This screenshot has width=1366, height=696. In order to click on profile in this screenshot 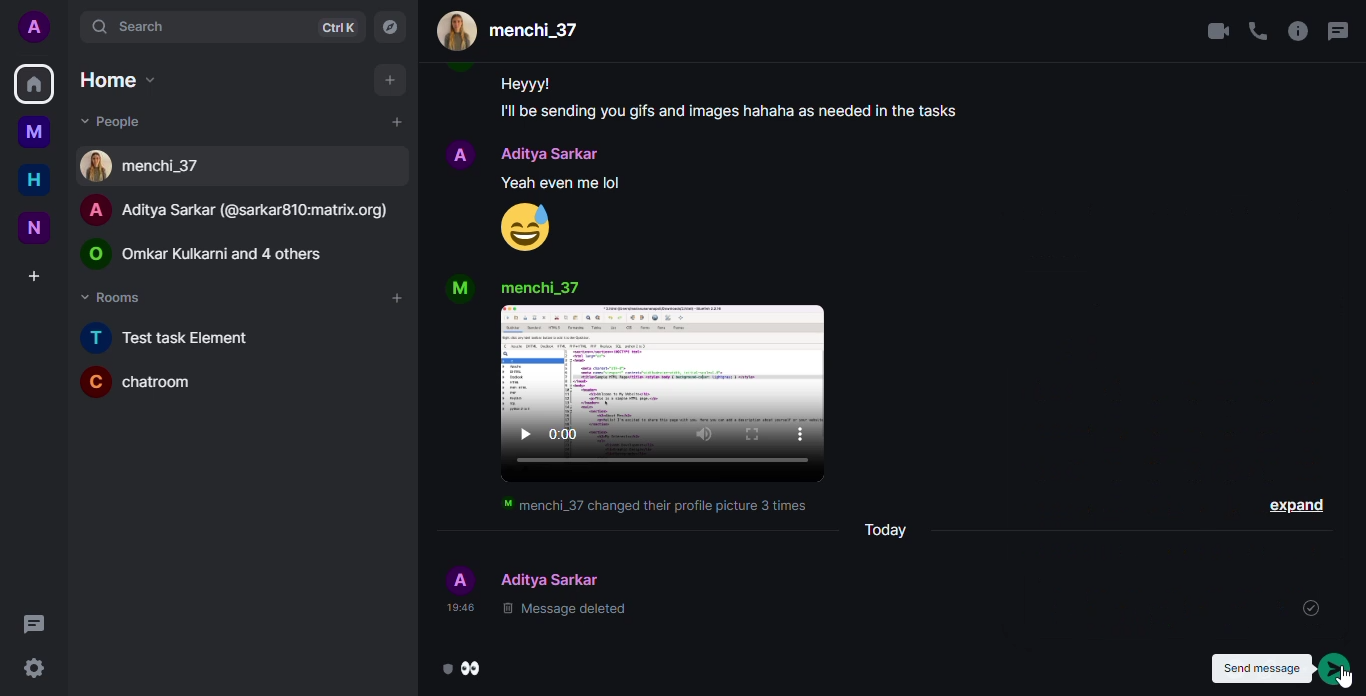, I will do `click(458, 289)`.